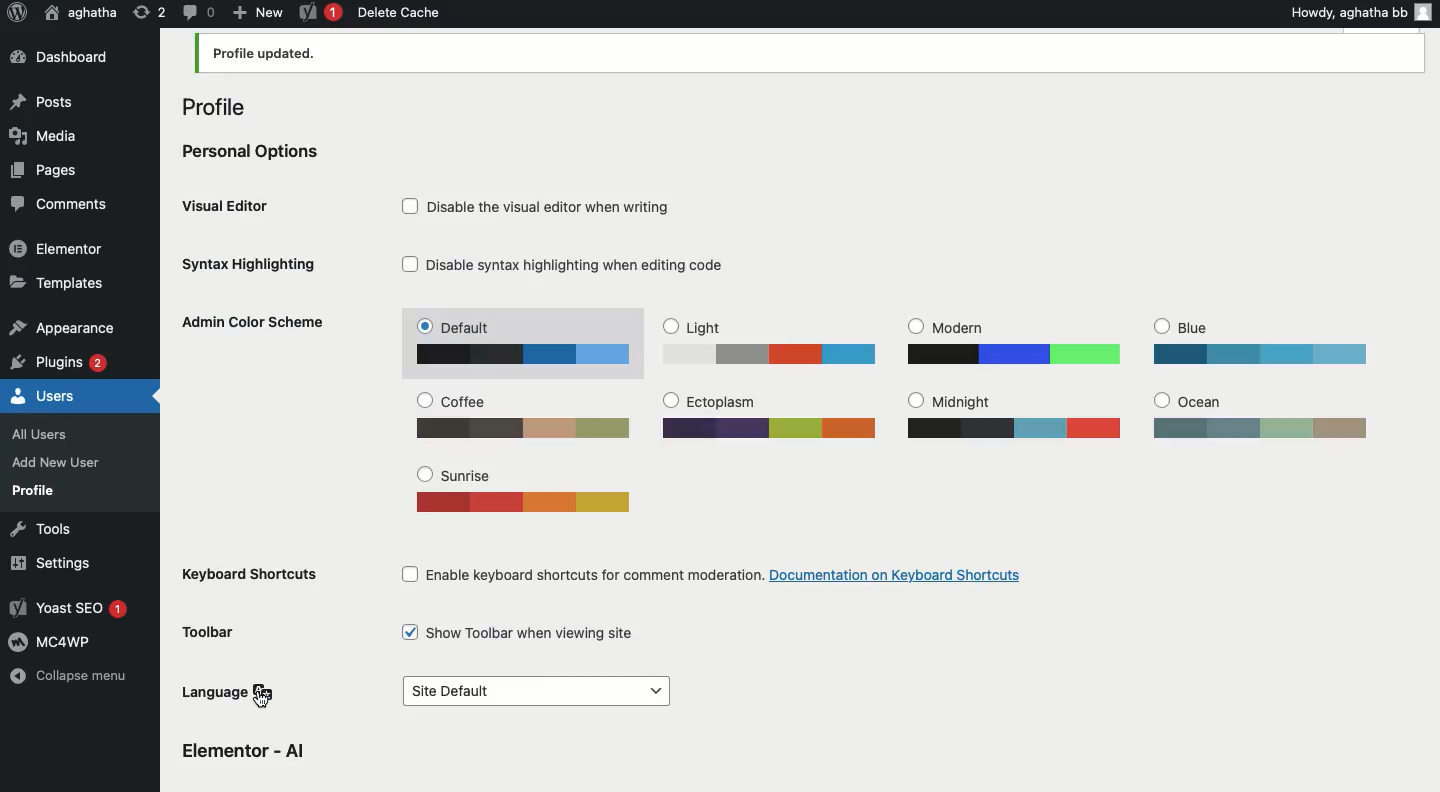 This screenshot has height=792, width=1440. I want to click on Profile updated, so click(810, 55).